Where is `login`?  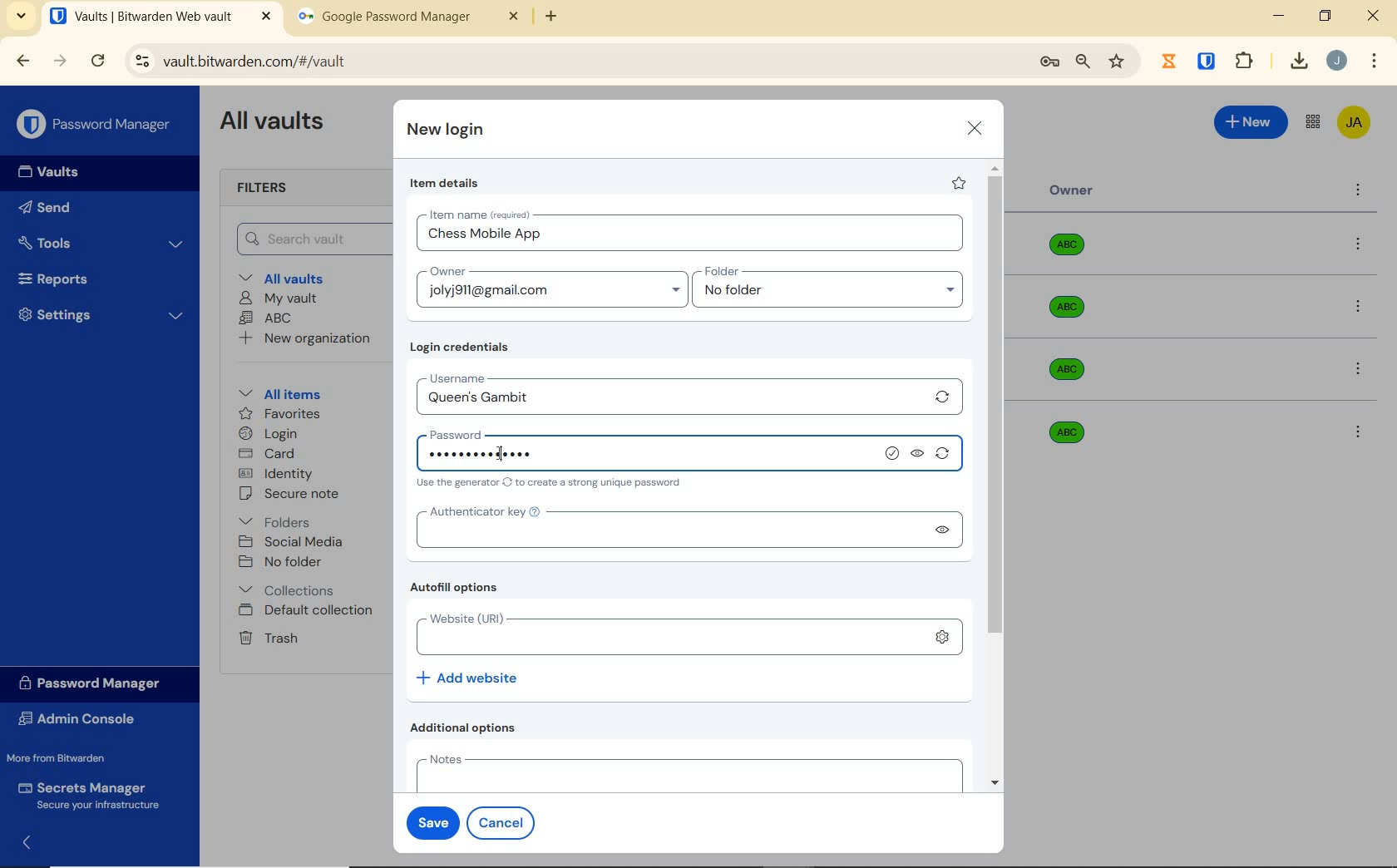
login is located at coordinates (268, 435).